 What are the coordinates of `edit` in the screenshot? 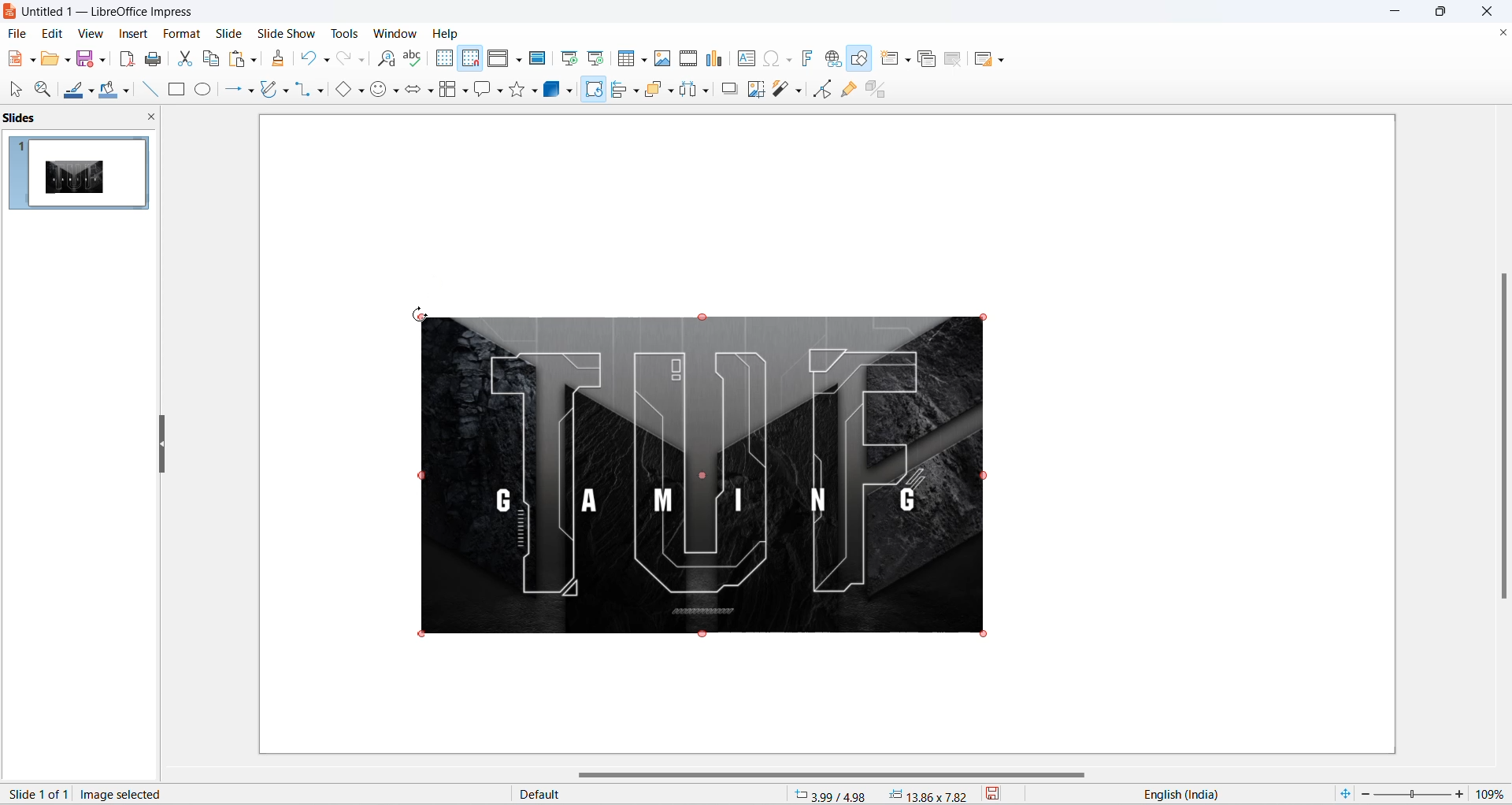 It's located at (54, 33).